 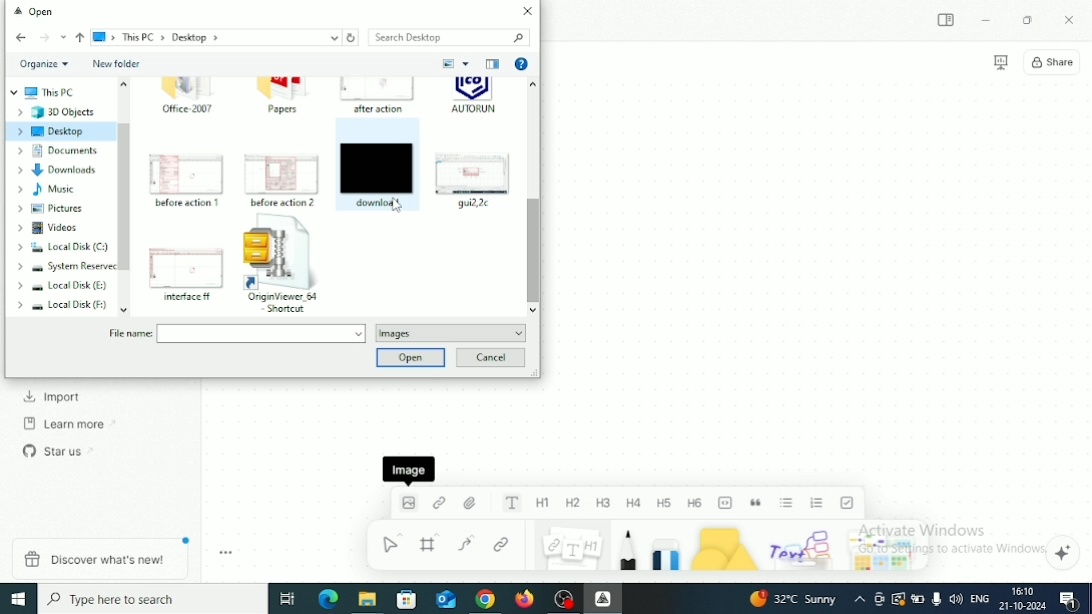 I want to click on File, so click(x=472, y=503).